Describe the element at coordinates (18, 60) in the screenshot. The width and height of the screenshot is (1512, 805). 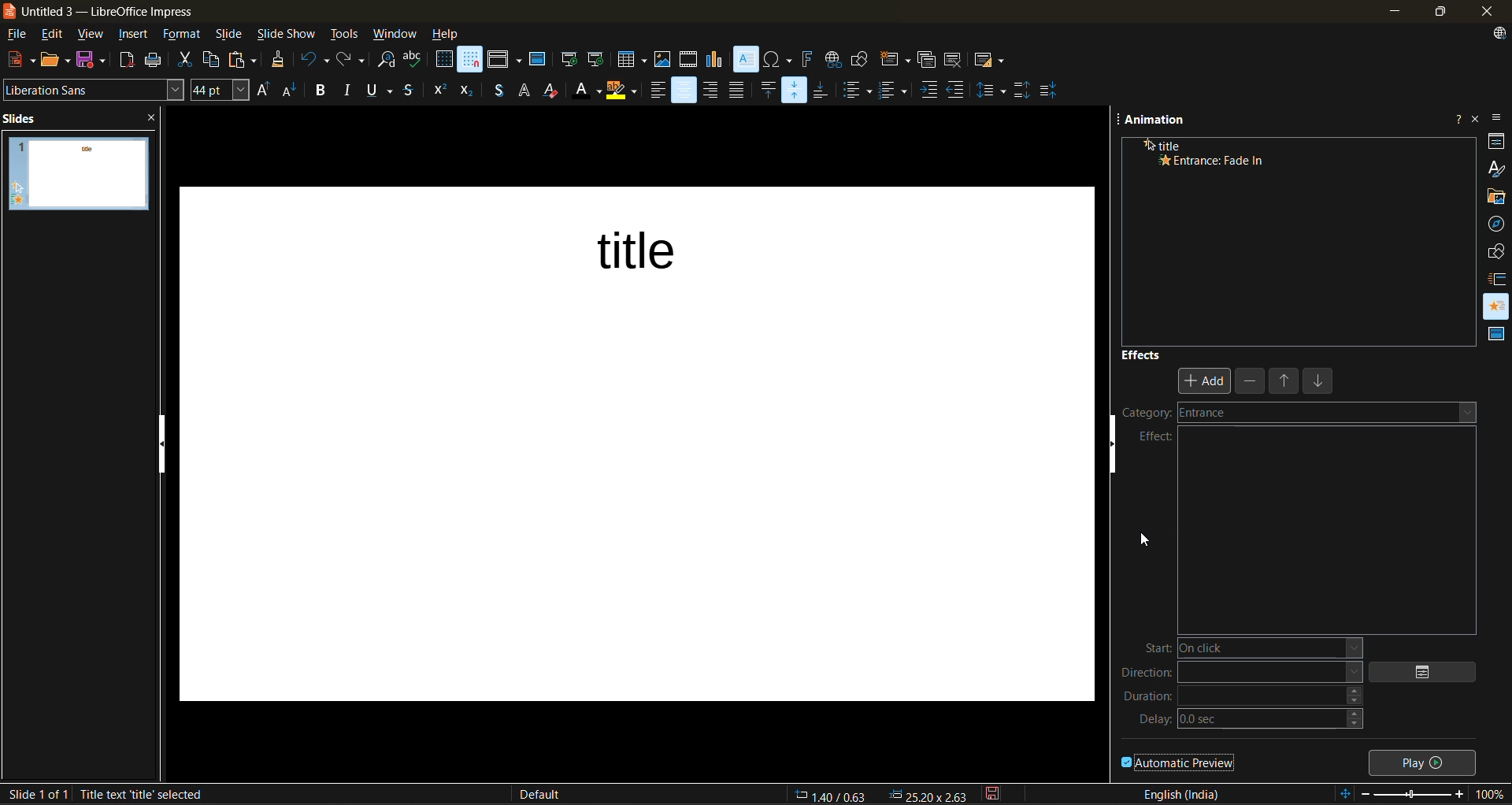
I see `new` at that location.